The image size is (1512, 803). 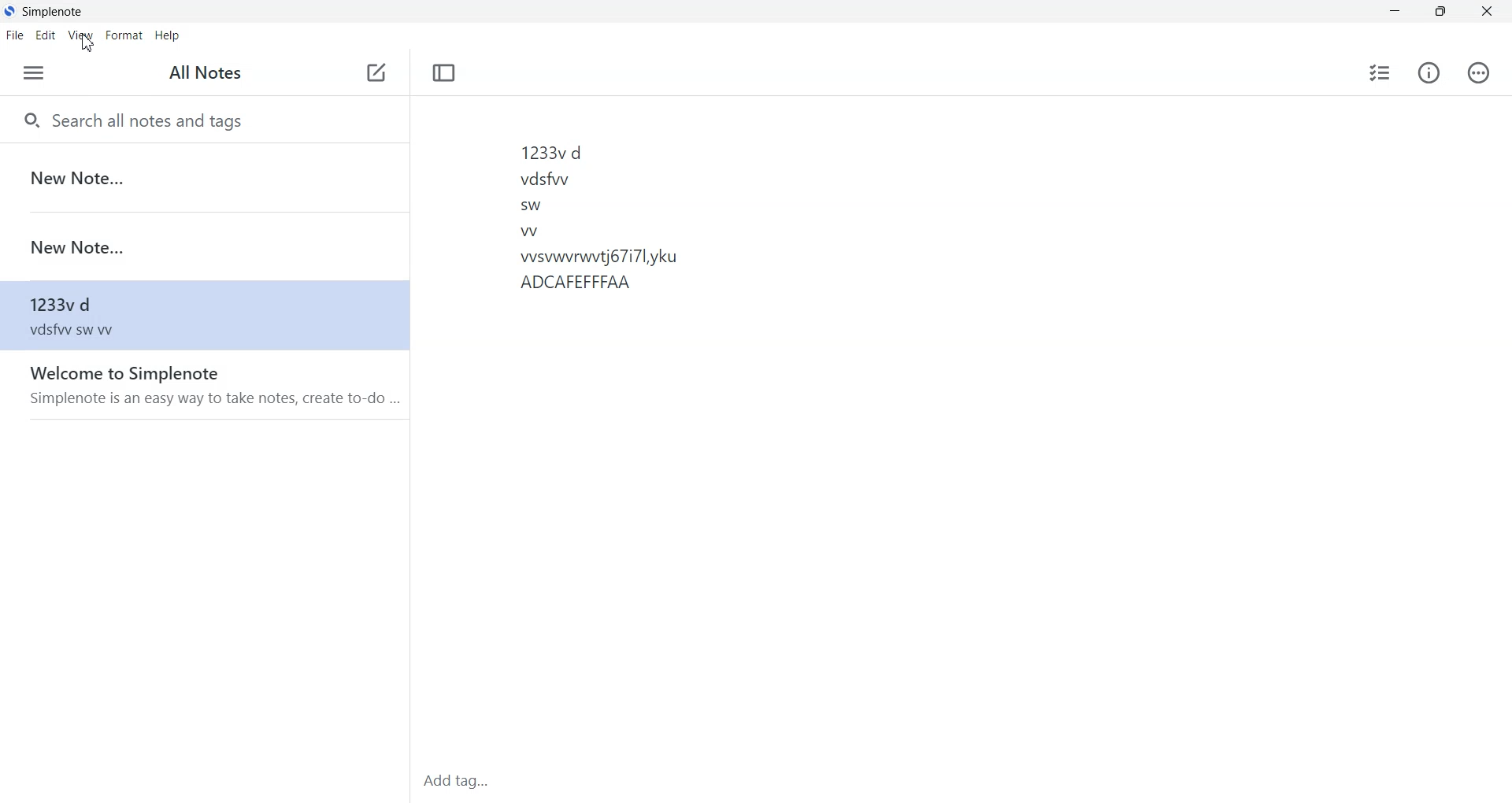 I want to click on View, so click(x=81, y=35).